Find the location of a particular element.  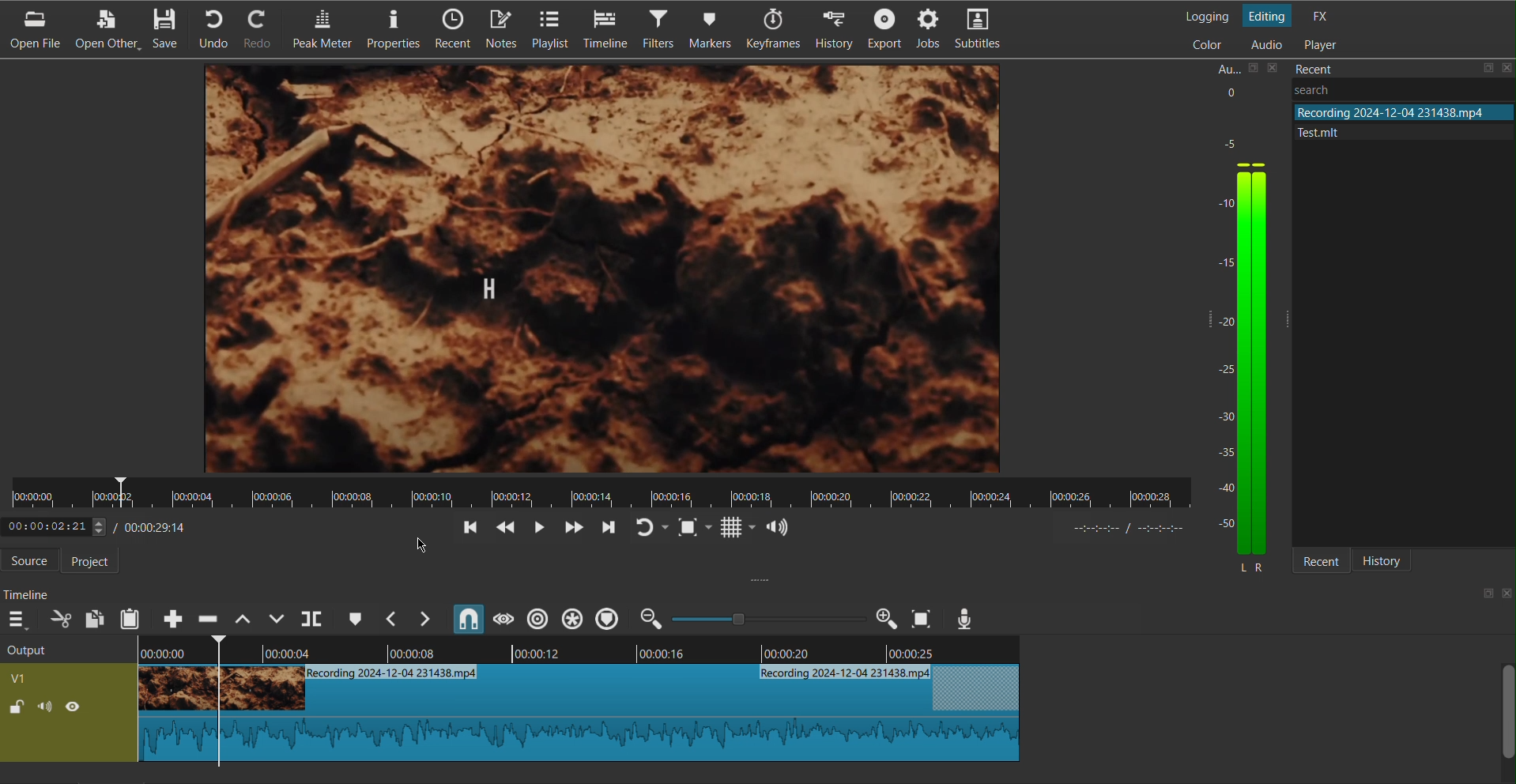

cursor is located at coordinates (419, 544).